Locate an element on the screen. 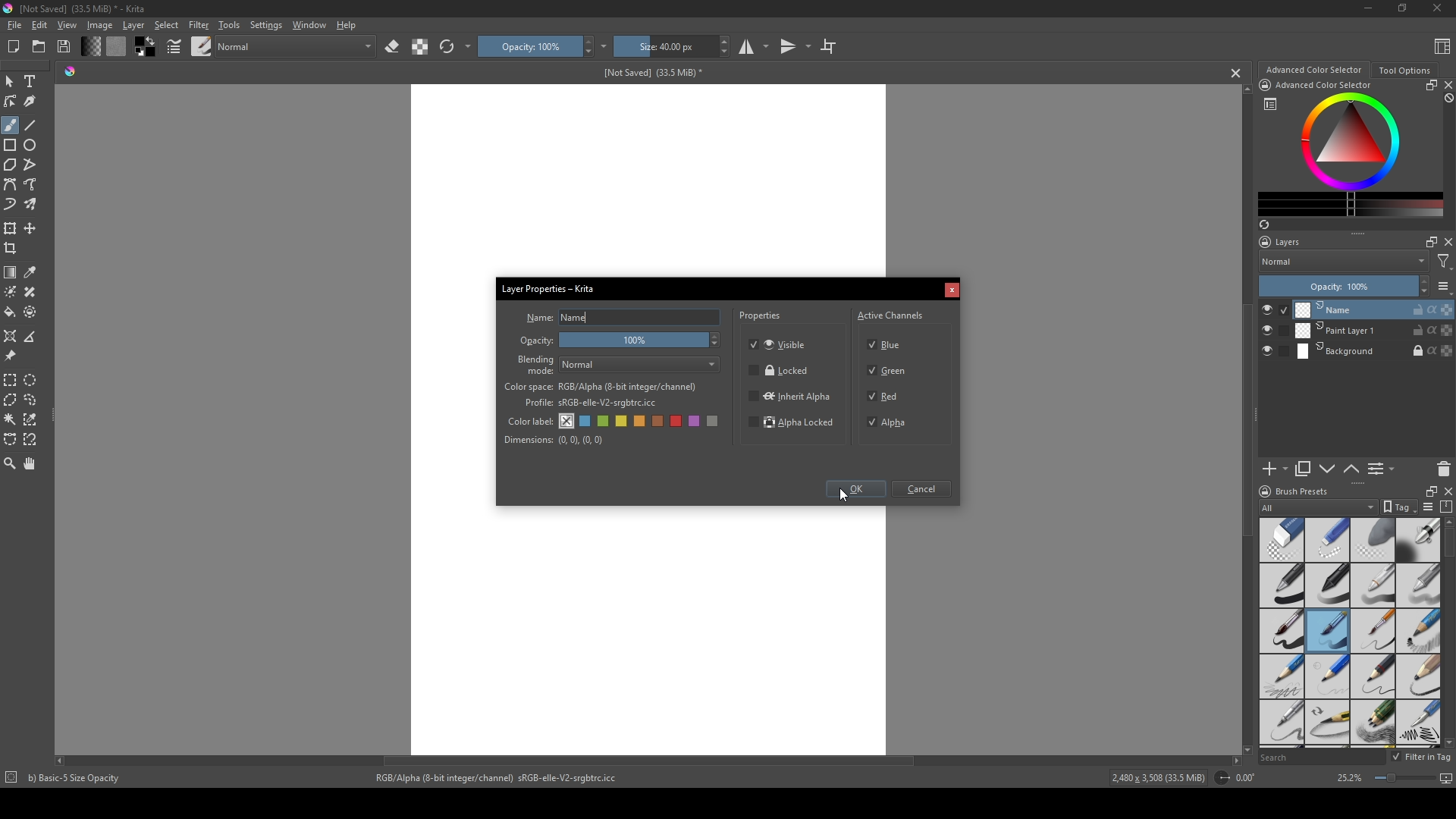 This screenshot has height=819, width=1456. Brush presets is located at coordinates (1303, 491).